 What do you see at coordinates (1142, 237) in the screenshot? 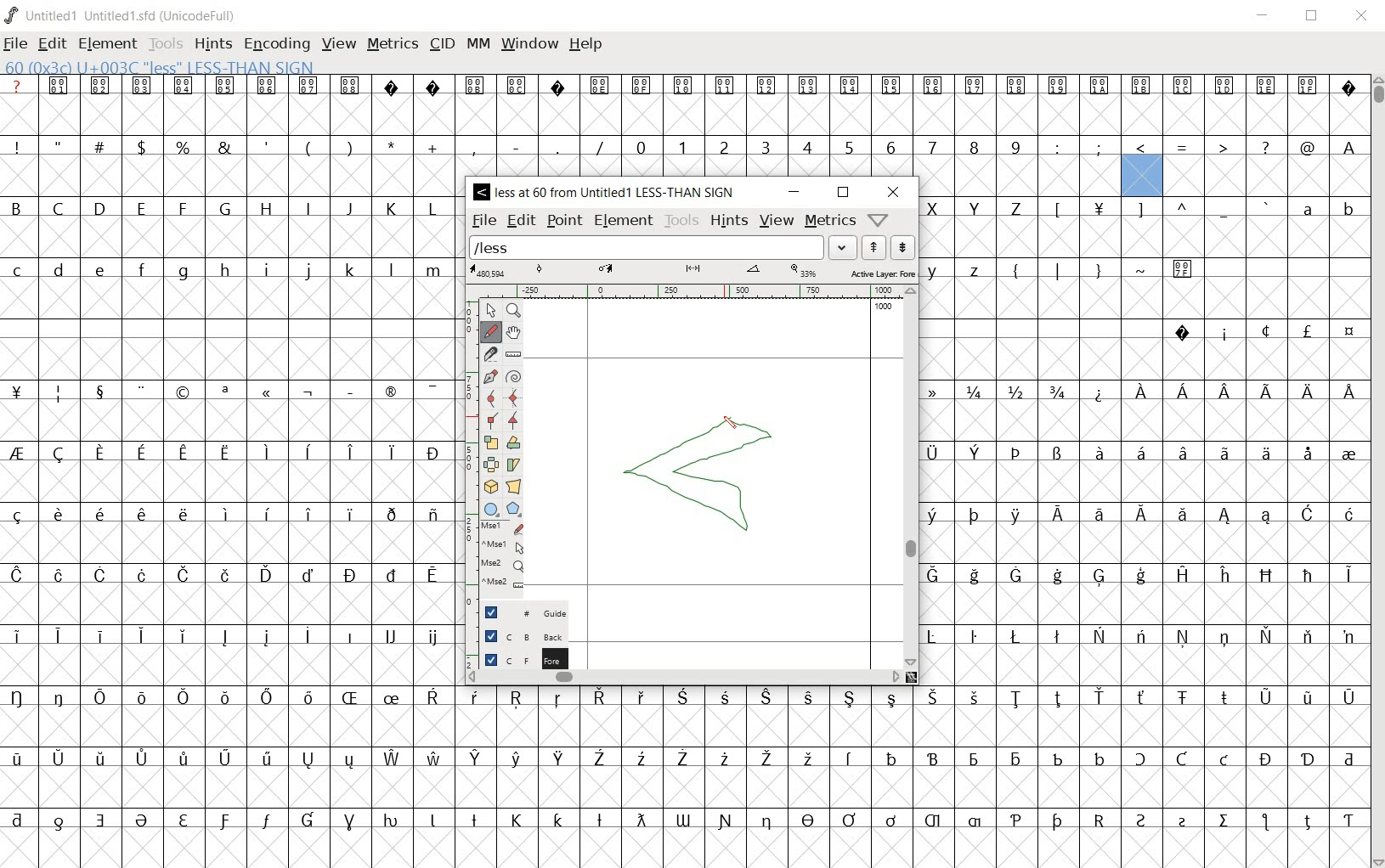
I see `empty cells` at bounding box center [1142, 237].